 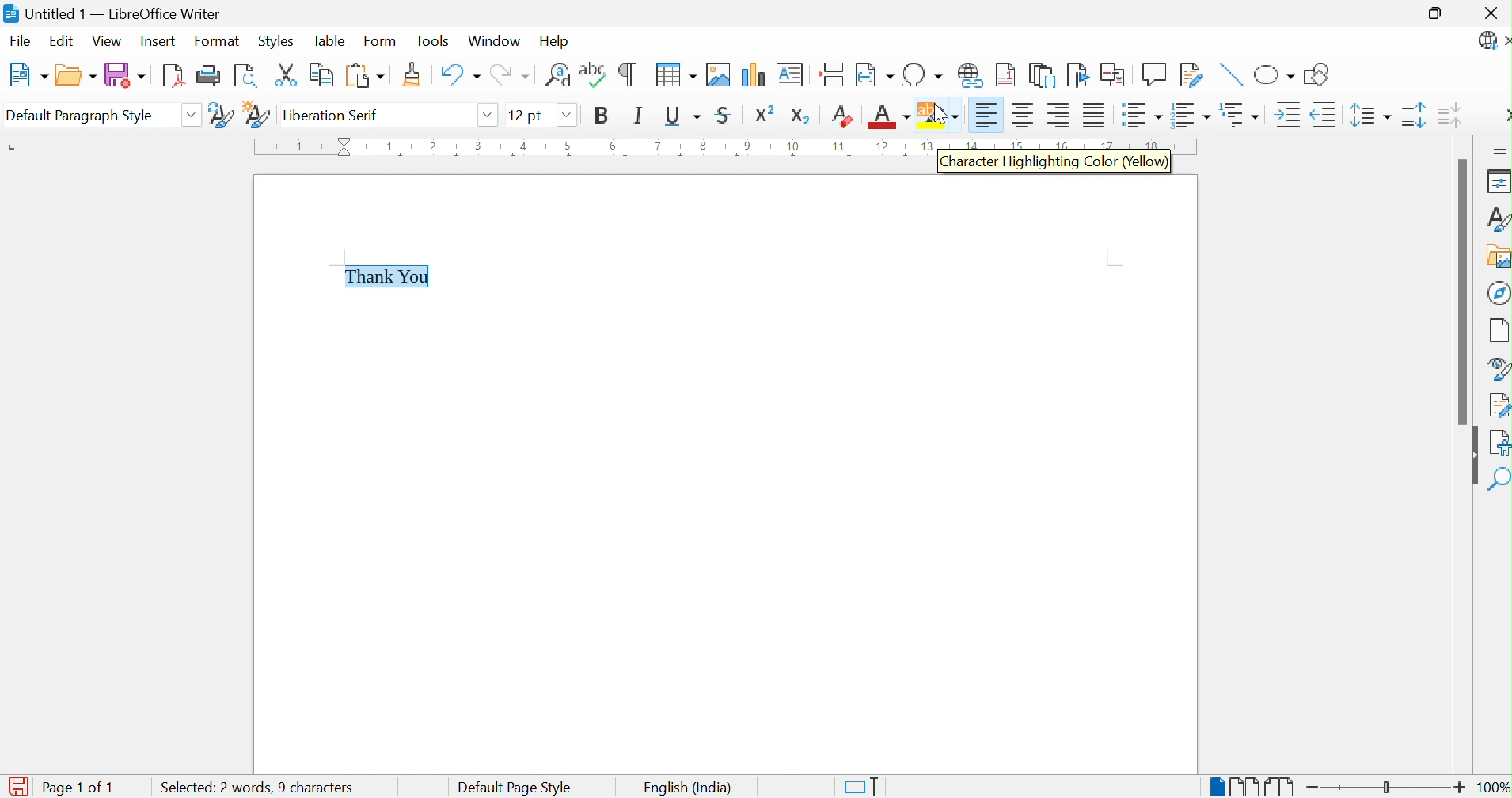 I want to click on Scroll Bar, so click(x=1457, y=291).